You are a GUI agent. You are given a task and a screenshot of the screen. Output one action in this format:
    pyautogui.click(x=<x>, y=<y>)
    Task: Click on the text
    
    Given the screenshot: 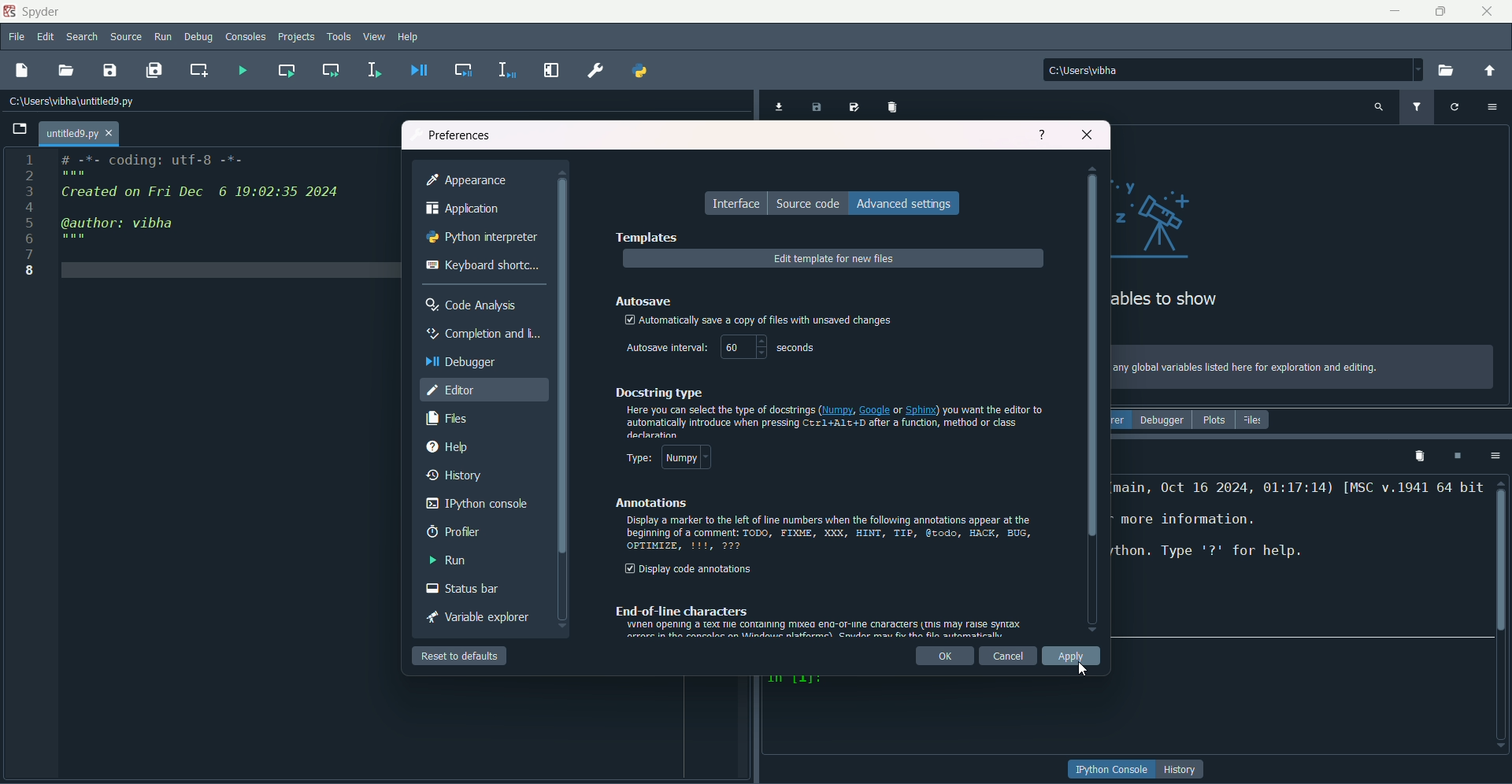 What is the action you would take?
    pyautogui.click(x=1298, y=557)
    